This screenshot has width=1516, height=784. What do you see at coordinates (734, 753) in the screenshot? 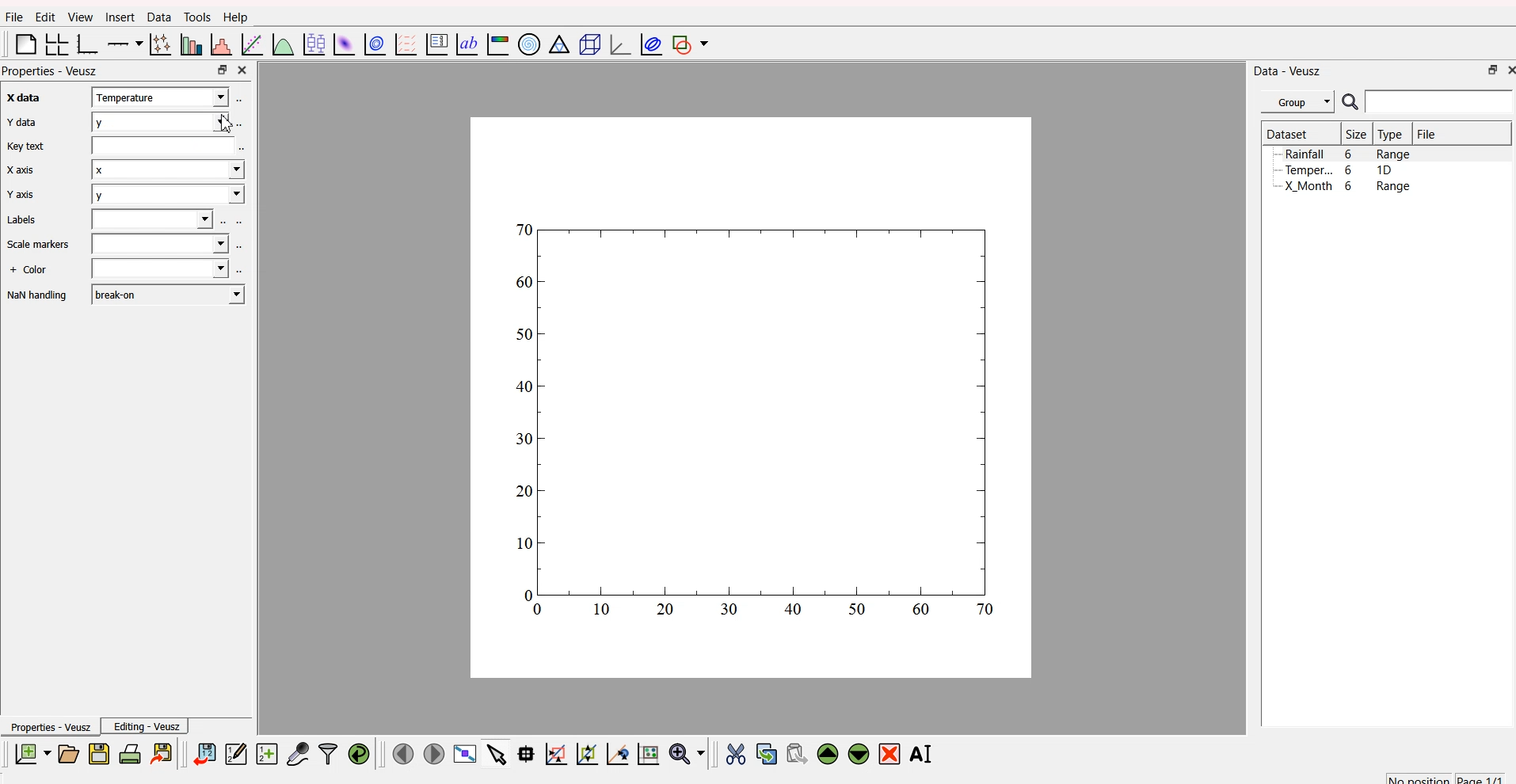
I see `cut the widget` at bounding box center [734, 753].